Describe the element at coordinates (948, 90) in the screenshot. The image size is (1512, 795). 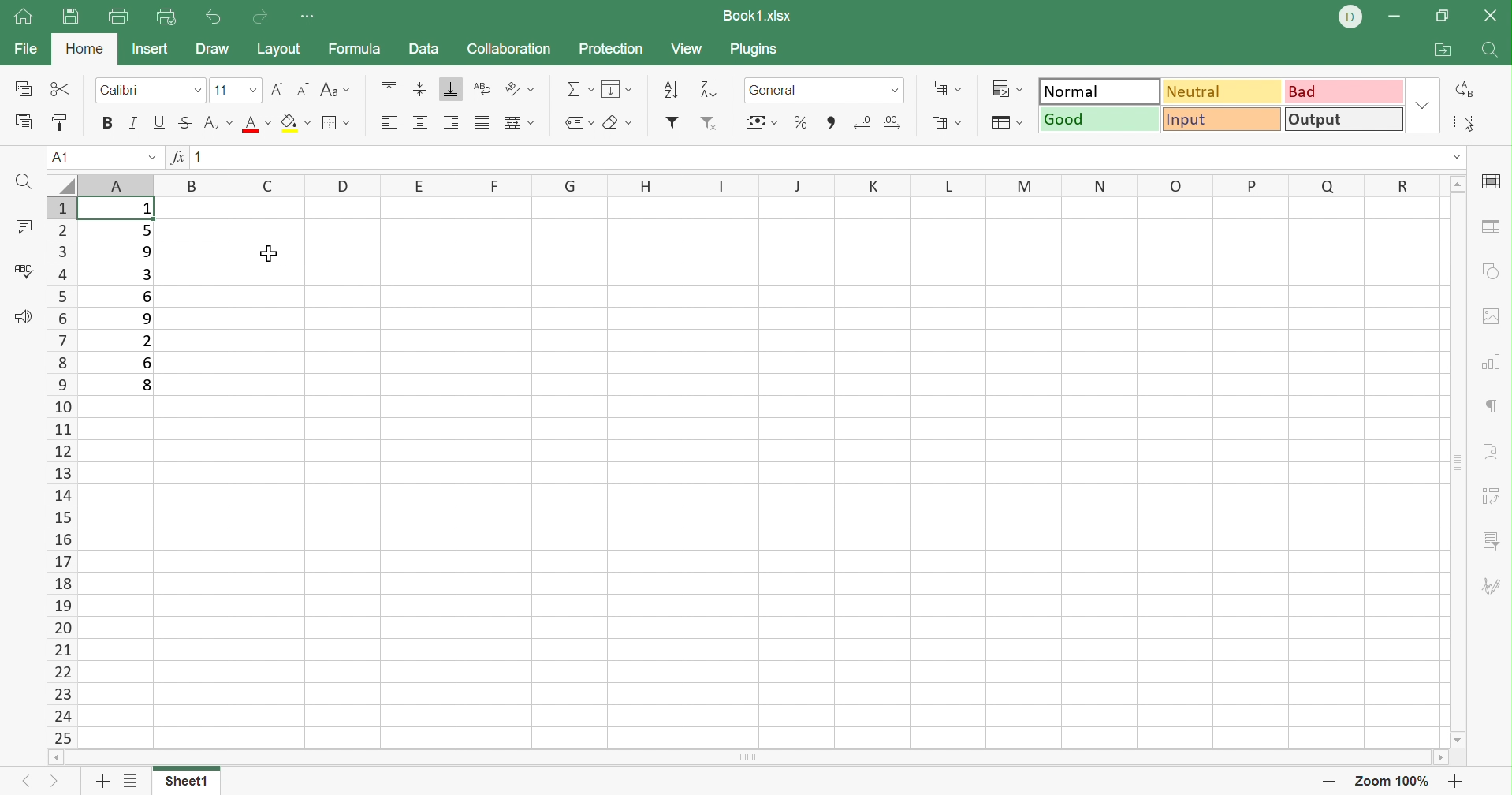
I see `Insert cells` at that location.